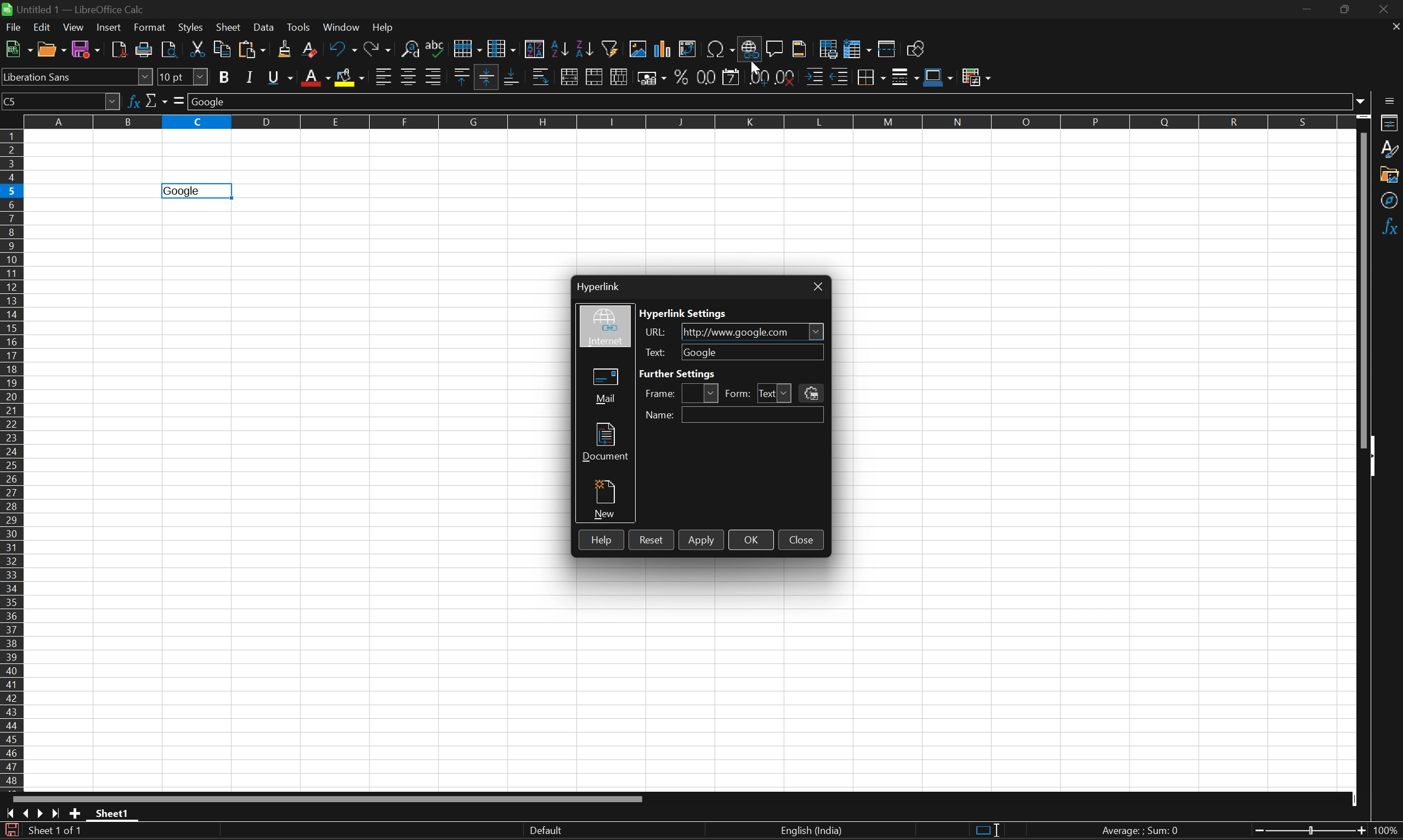 The image size is (1403, 840). I want to click on Zoom out, so click(1359, 832).